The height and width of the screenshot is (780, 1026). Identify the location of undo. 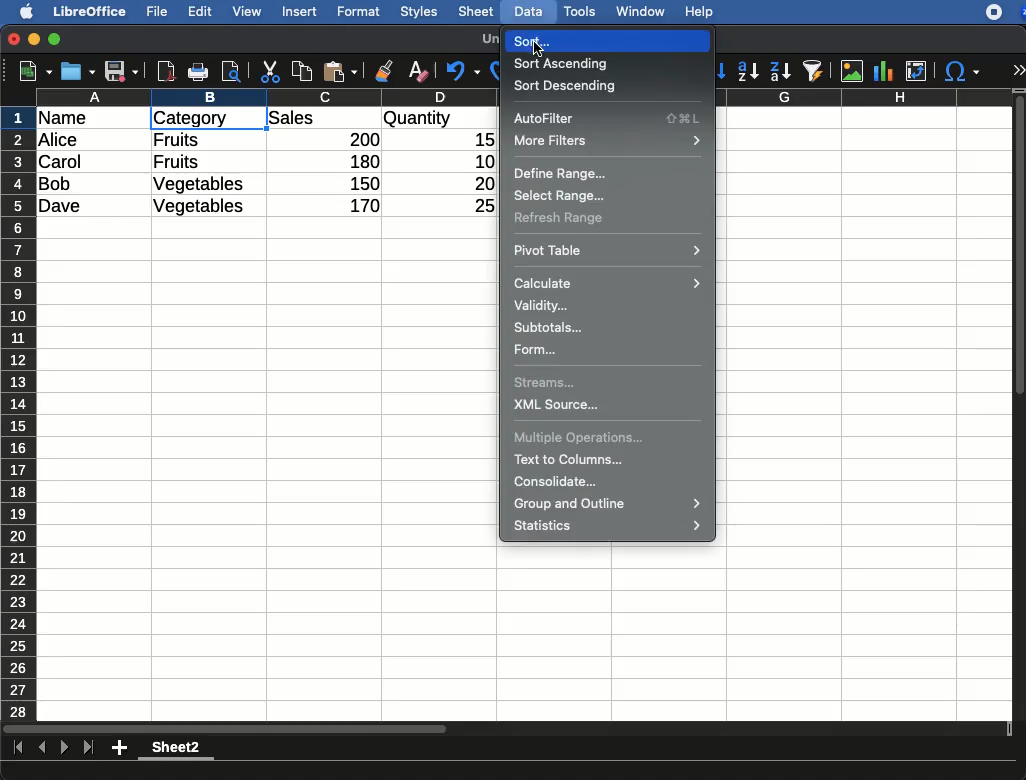
(463, 71).